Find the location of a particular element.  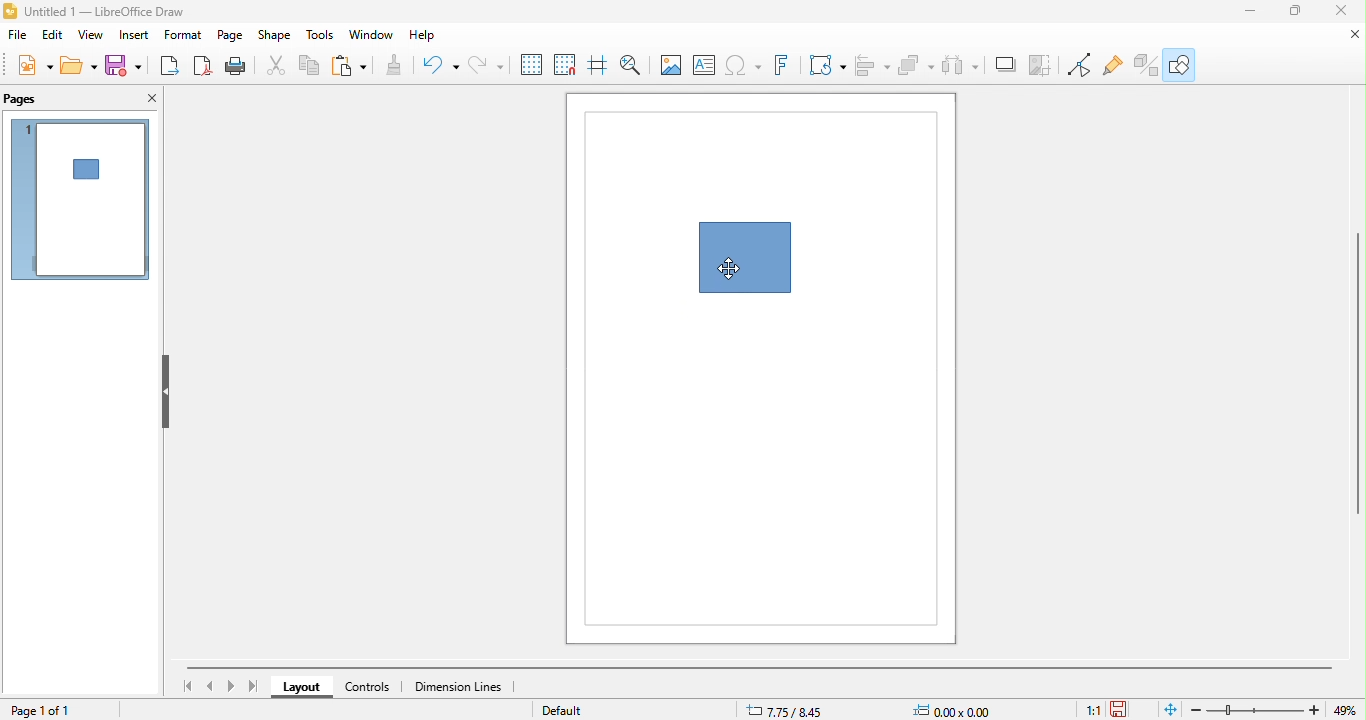

toggle point edit mode is located at coordinates (1081, 66).